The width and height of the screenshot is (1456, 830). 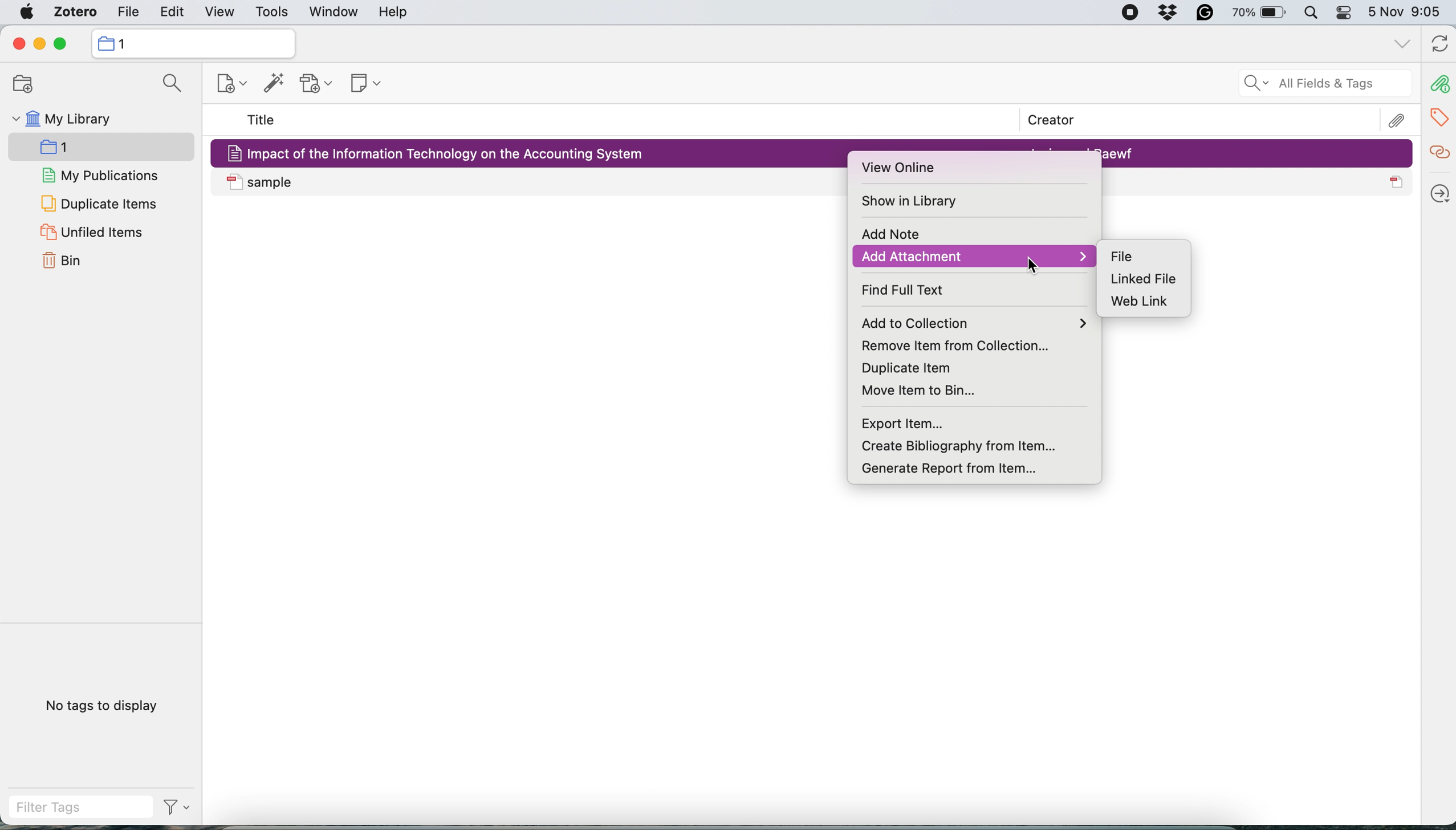 I want to click on title, so click(x=262, y=121).